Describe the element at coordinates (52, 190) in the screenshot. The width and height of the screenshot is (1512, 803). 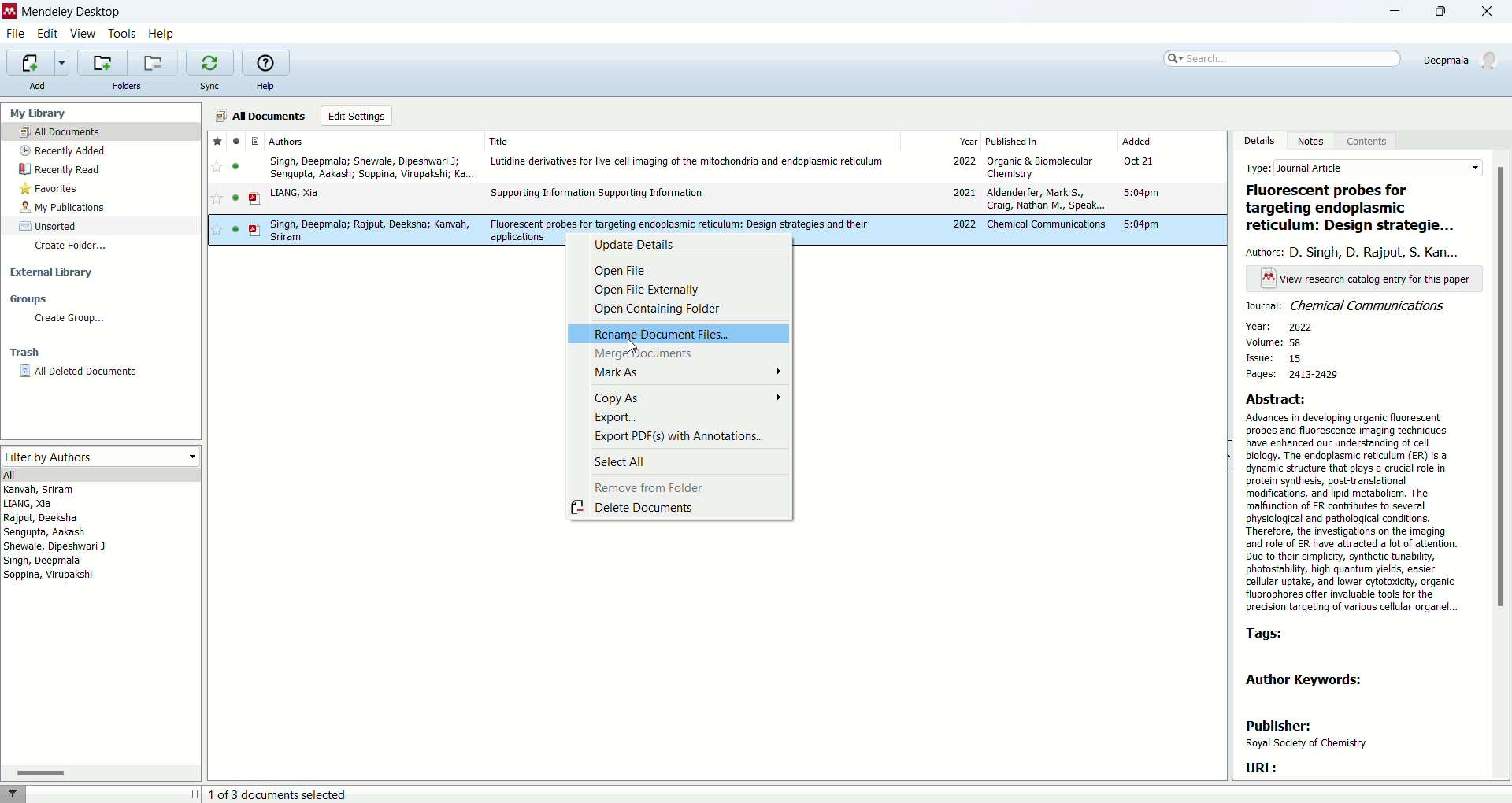
I see `favorites` at that location.